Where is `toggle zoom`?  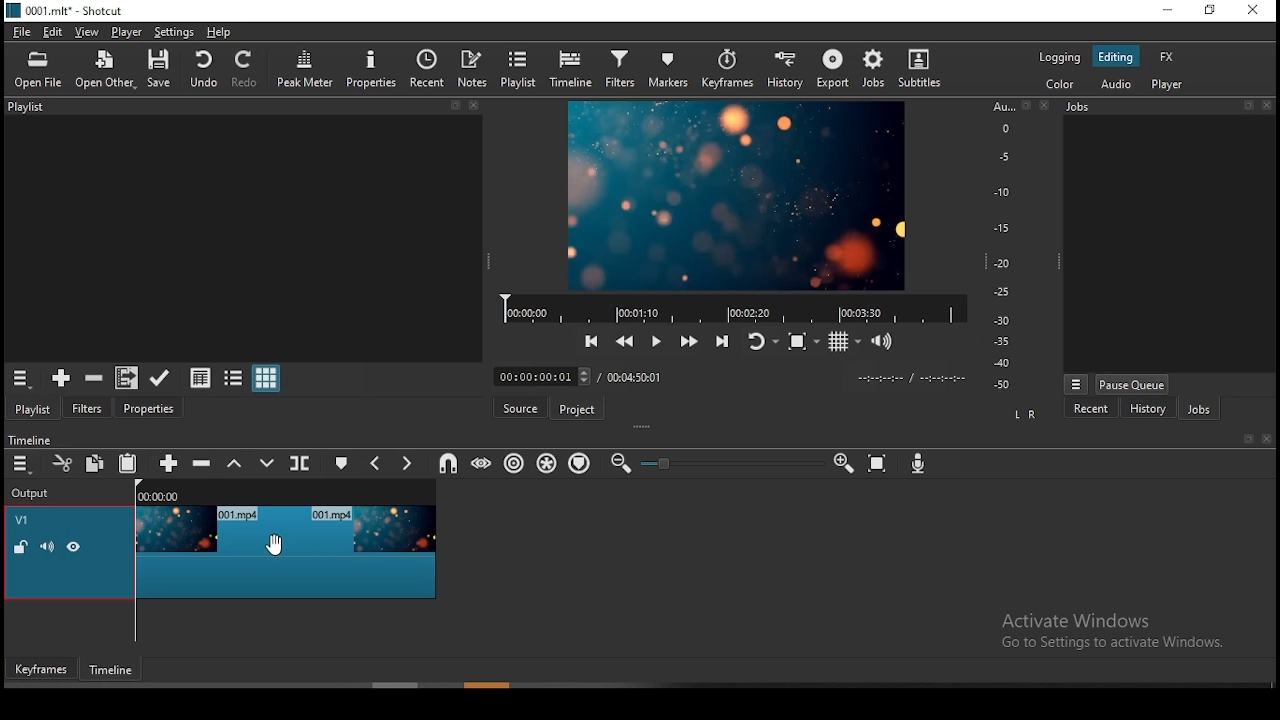
toggle zoom is located at coordinates (799, 342).